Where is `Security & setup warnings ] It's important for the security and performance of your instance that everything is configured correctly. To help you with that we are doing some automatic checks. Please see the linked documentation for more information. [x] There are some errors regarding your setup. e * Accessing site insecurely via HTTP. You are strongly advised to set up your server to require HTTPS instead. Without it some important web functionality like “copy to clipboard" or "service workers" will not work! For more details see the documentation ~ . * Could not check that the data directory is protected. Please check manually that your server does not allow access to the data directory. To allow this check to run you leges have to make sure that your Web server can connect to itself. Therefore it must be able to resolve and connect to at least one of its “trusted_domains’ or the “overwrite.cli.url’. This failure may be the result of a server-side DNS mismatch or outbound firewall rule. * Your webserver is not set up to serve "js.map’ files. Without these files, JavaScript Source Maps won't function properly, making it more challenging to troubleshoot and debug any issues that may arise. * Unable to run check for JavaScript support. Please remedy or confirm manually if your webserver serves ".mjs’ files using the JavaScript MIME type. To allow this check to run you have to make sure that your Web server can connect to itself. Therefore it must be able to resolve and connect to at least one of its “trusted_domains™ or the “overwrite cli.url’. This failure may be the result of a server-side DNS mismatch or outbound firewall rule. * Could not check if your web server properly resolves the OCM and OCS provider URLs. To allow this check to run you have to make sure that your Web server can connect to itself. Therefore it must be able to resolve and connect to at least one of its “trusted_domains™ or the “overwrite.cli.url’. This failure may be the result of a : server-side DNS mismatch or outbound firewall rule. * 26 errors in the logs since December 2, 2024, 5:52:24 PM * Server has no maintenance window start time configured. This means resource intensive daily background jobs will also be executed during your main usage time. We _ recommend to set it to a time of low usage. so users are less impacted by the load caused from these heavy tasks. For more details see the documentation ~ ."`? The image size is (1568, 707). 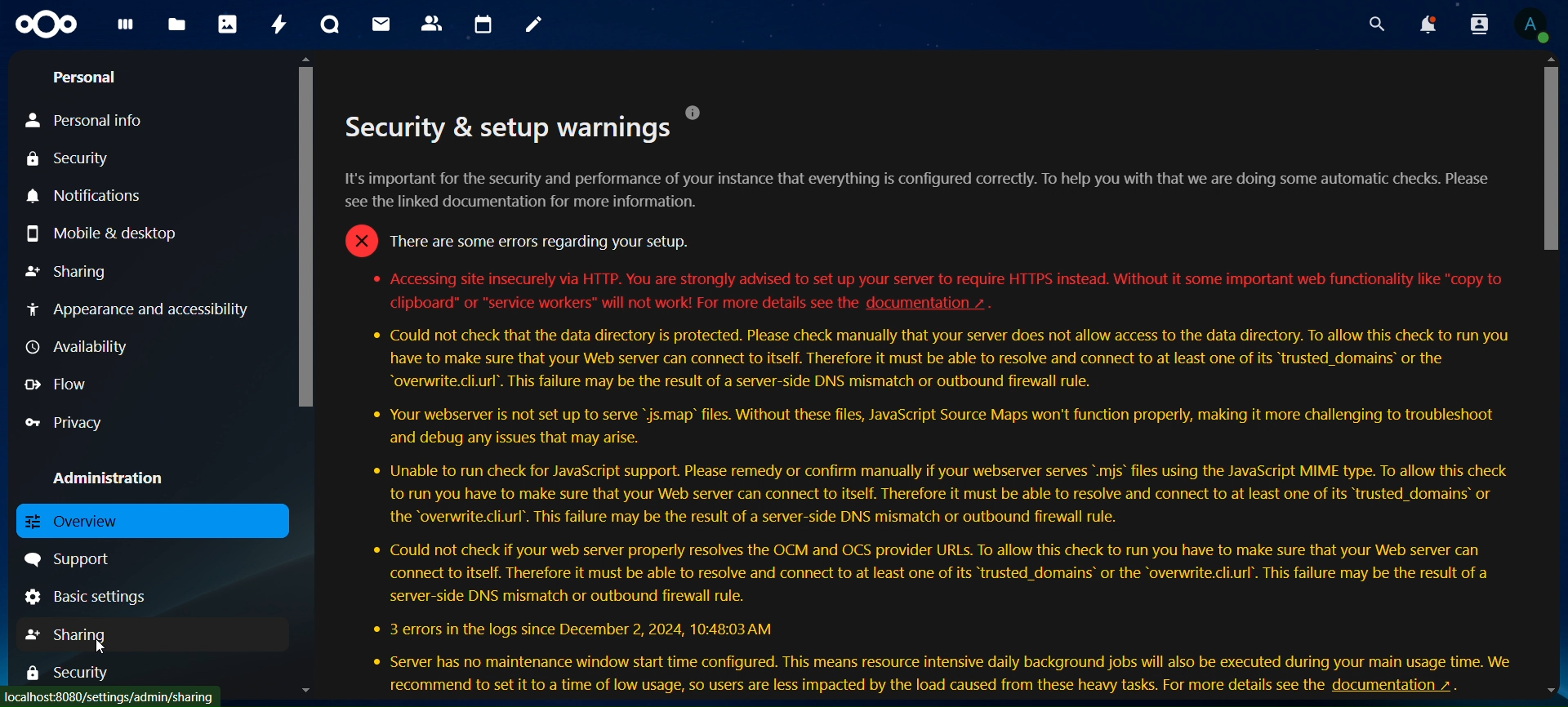
Security & setup warnings ] It's important for the security and performance of your instance that everything is configured correctly. To help you with that we are doing some automatic checks. Please see the linked documentation for more information. [x] There are some errors regarding your setup. e * Accessing site insecurely via HTTP. You are strongly advised to set up your server to require HTTPS instead. Without it some important web functionality like “copy to clipboard" or "service workers" will not work! For more details see the documentation ~ . * Could not check that the data directory is protected. Please check manually that your server does not allow access to the data directory. To allow this check to run you leges have to make sure that your Web server can connect to itself. Therefore it must be able to resolve and connect to at least one of its “trusted_domains’ or the “overwrite.cli.url’. This failure may be the result of a server-side DNS mismatch or outbound firewall rule. * Your webserver is not set up to serve "js.map’ files. Without these files, JavaScript Source Maps won't function properly, making it more challenging to troubleshoot and debug any issues that may arise. * Unable to run check for JavaScript support. Please remedy or confirm manually if your webserver serves ".mjs’ files using the JavaScript MIME type. To allow this check to run you have to make sure that your Web server can connect to itself. Therefore it must be able to resolve and connect to at least one of its “trusted_domains™ or the “overwrite cli.url’. This failure may be the result of a server-side DNS mismatch or outbound firewall rule. * Could not check if your web server properly resolves the OCM and OCS provider URLs. To allow this check to run you have to make sure that your Web server can connect to itself. Therefore it must be able to resolve and connect to at least one of its “trusted_domains™ or the “overwrite.cli.url’. This failure may be the result of a : server-side DNS mismatch or outbound firewall rule. * 26 errors in the logs since December 2, 2024, 5:52:24 PM * Server has no maintenance window start time configured. This means resource intensive daily background jobs will also be executed during your main usage time. We _ recommend to set it to a time of low usage. so users are less impacted by the load caused from these heavy tasks. For more details see the documentation ~ ." is located at coordinates (931, 398).